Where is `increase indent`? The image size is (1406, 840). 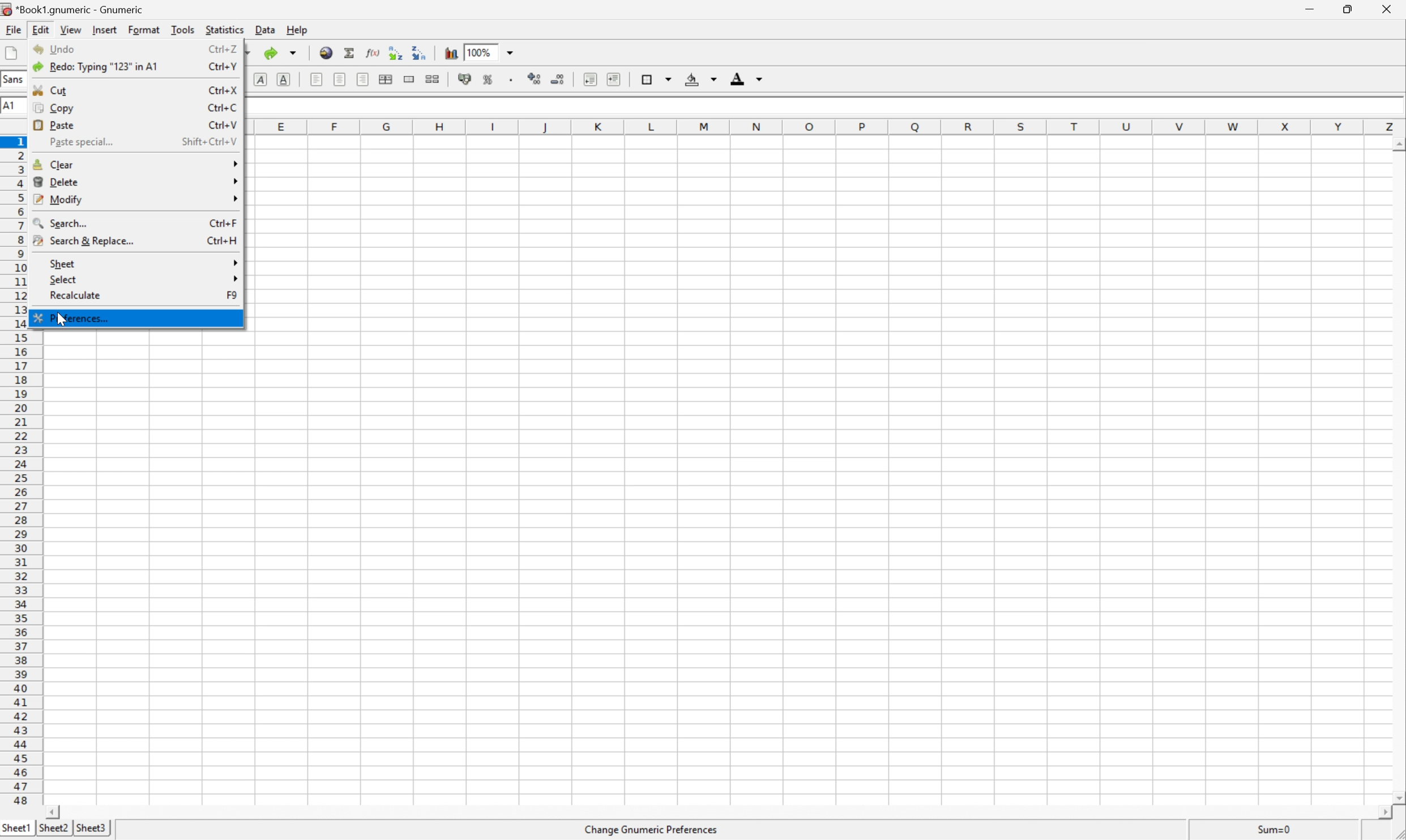 increase indent is located at coordinates (614, 79).